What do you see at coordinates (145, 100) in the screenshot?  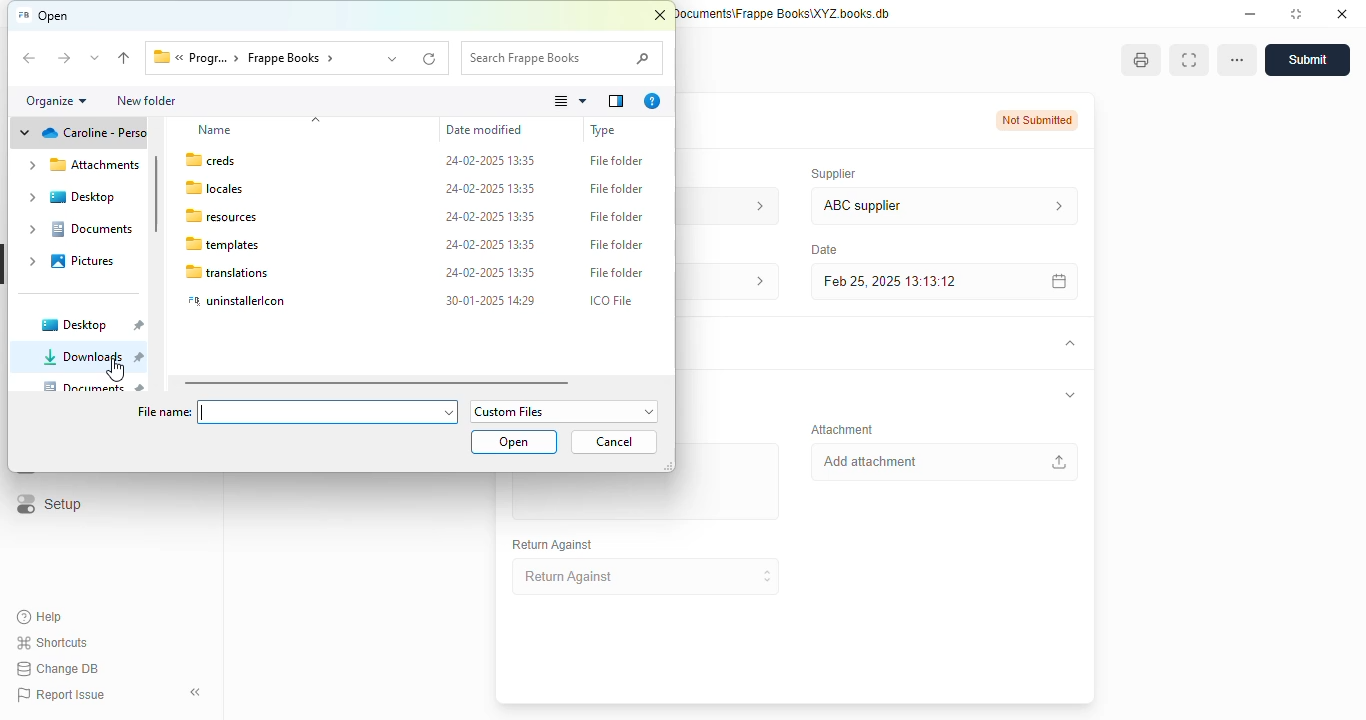 I see `new folder` at bounding box center [145, 100].